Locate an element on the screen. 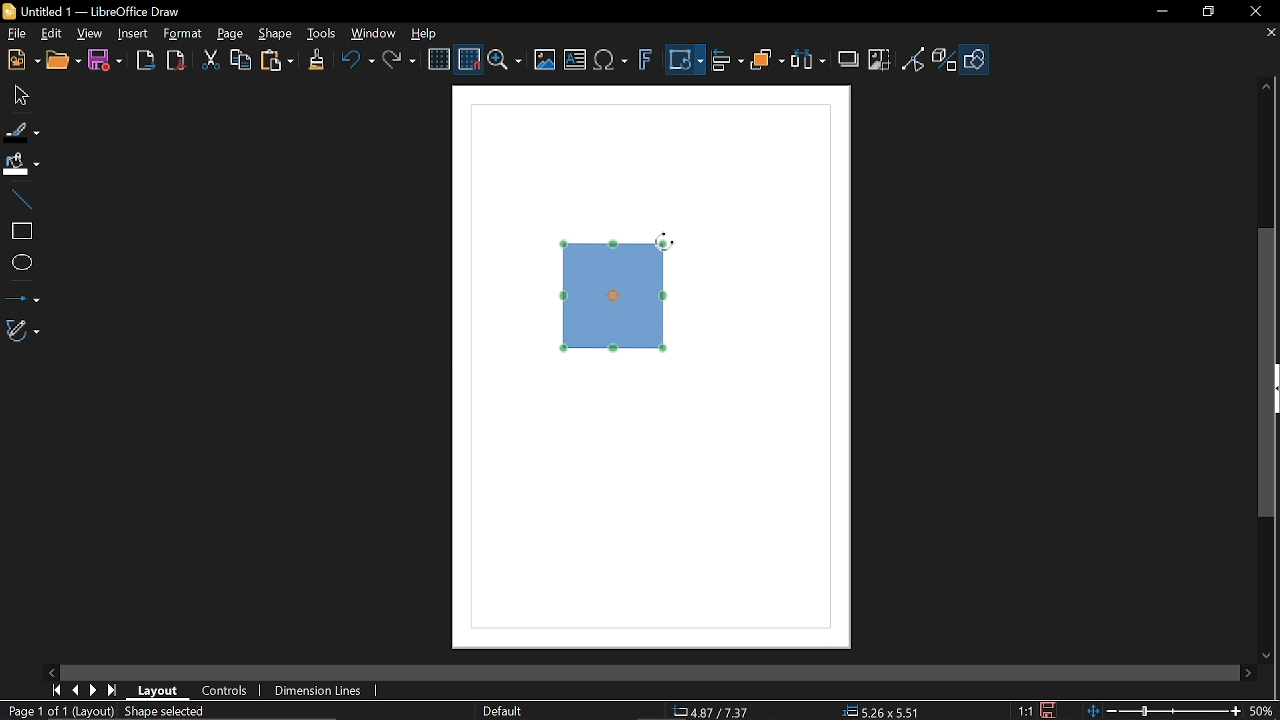  View is located at coordinates (88, 35).